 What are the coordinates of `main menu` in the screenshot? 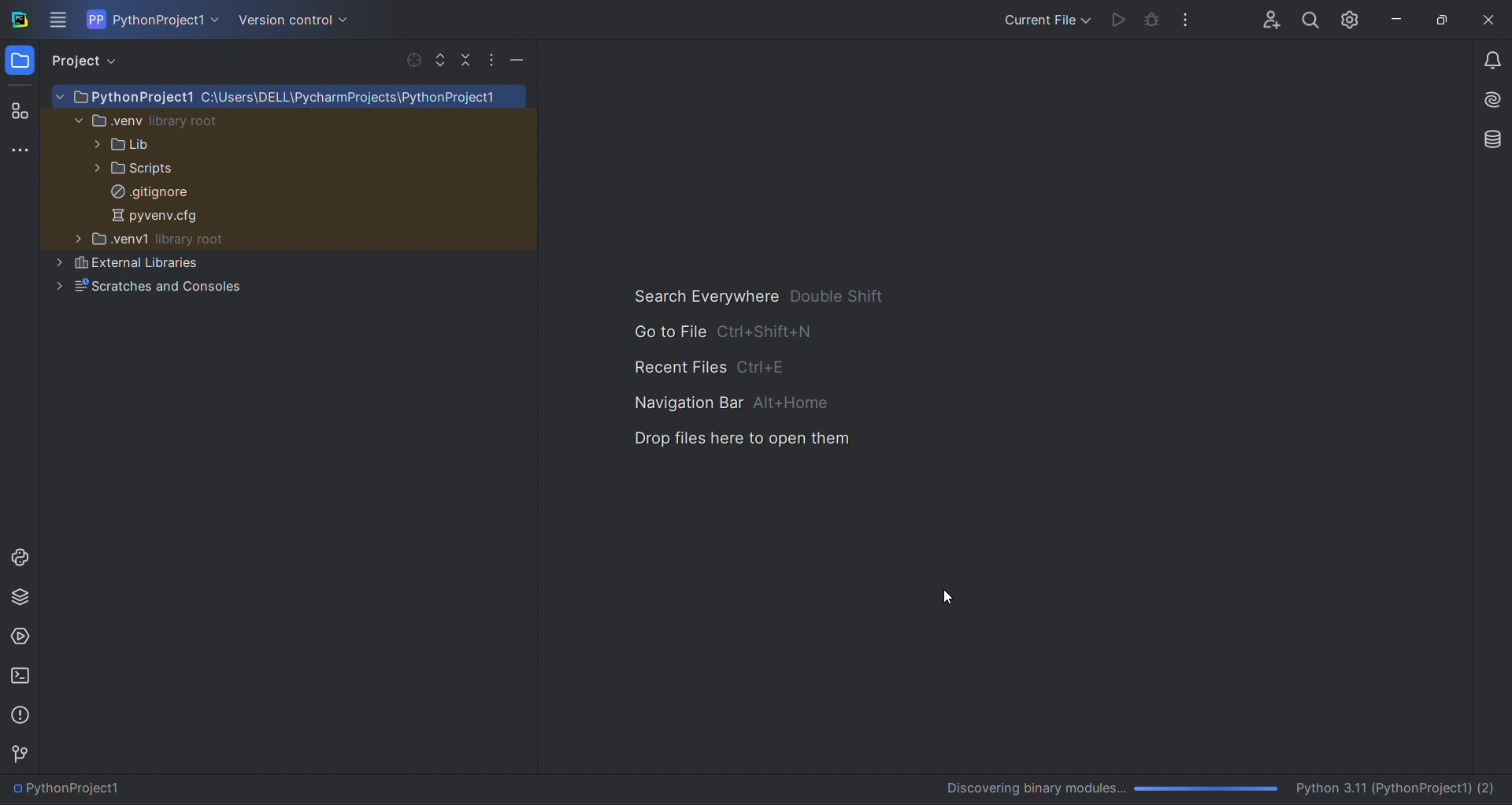 It's located at (60, 20).